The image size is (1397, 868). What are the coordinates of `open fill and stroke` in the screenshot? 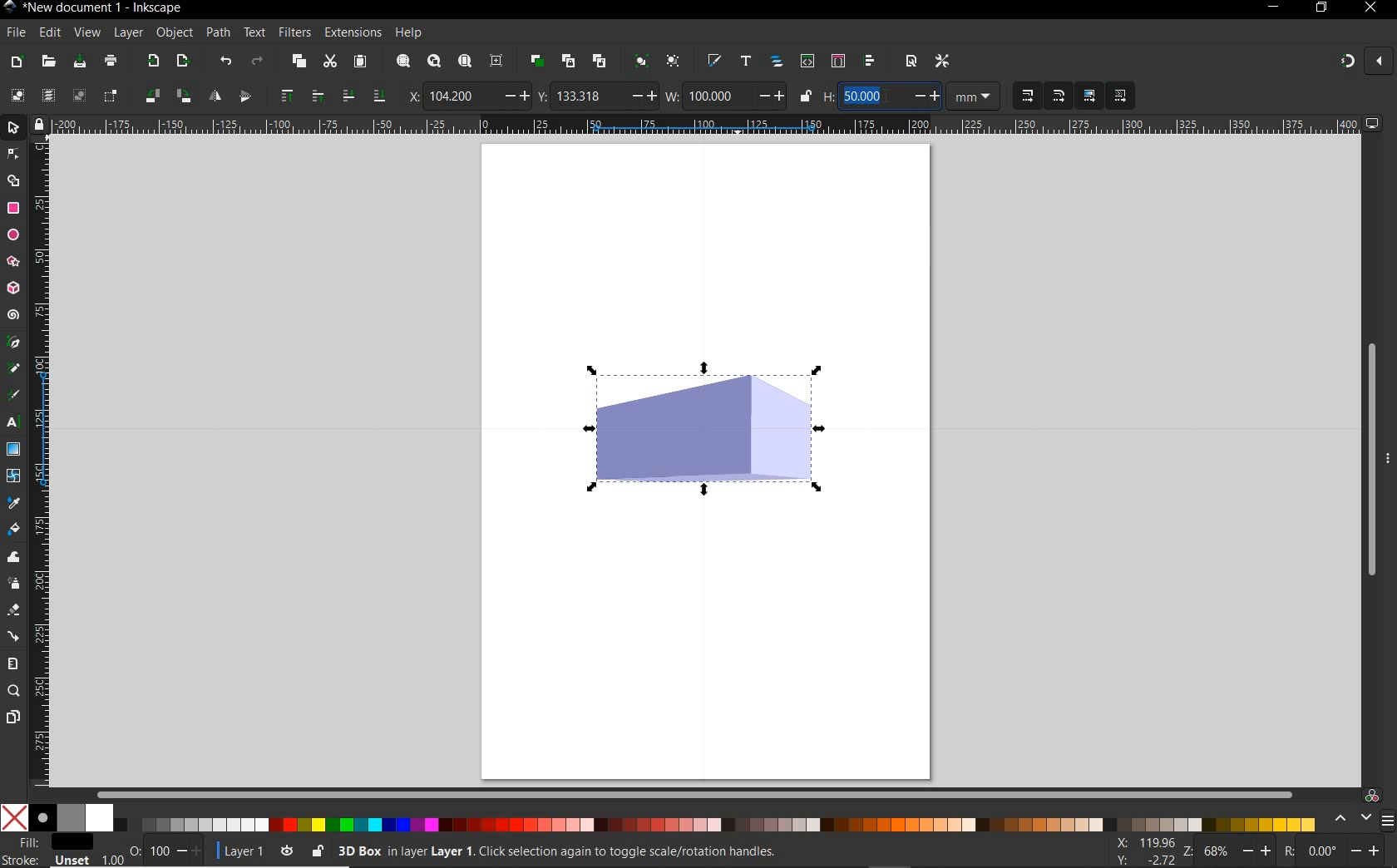 It's located at (713, 61).